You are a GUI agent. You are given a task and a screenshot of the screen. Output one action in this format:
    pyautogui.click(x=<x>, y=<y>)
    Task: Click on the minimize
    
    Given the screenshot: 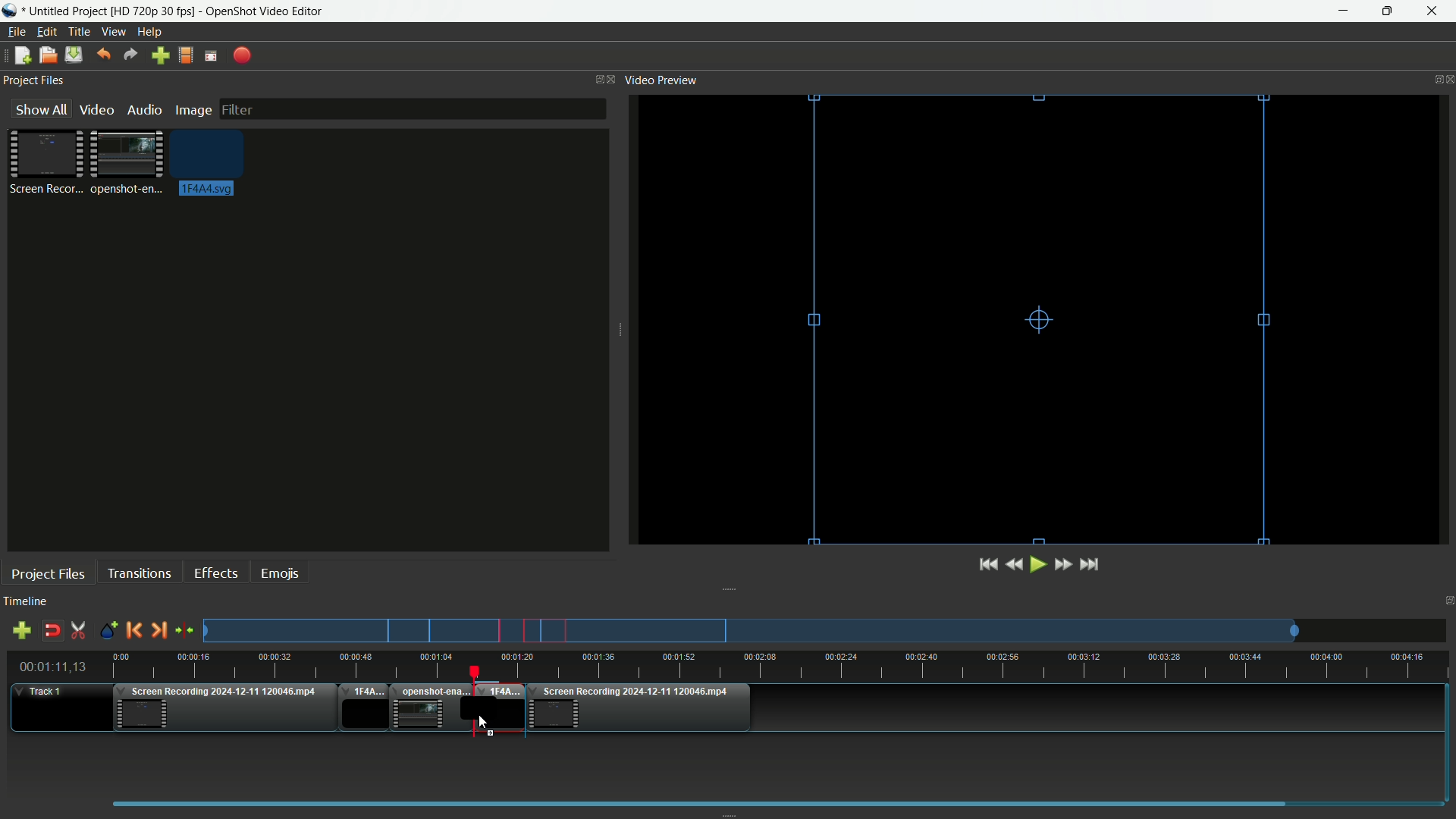 What is the action you would take?
    pyautogui.click(x=1348, y=11)
    